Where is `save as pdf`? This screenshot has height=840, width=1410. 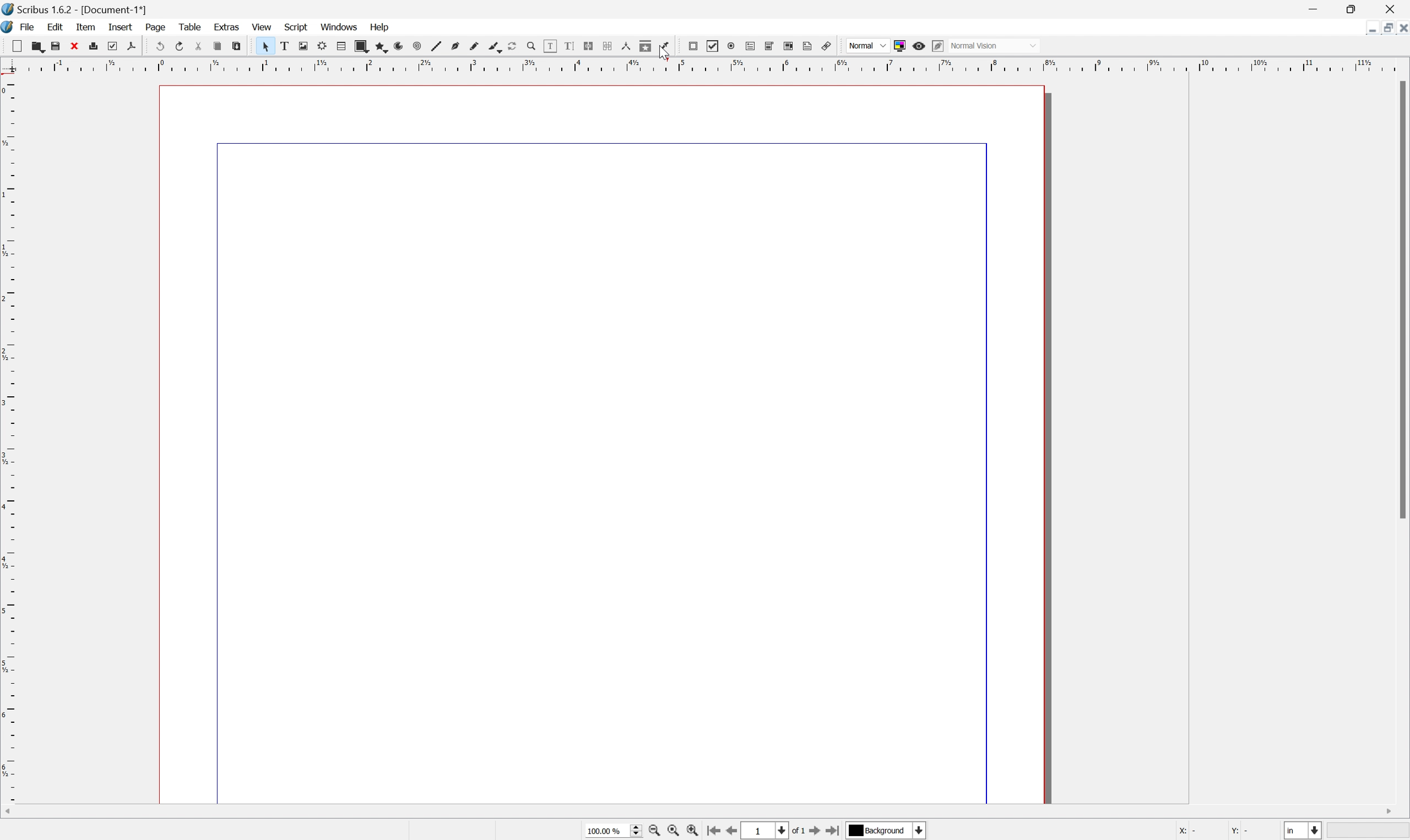
save as pdf is located at coordinates (131, 47).